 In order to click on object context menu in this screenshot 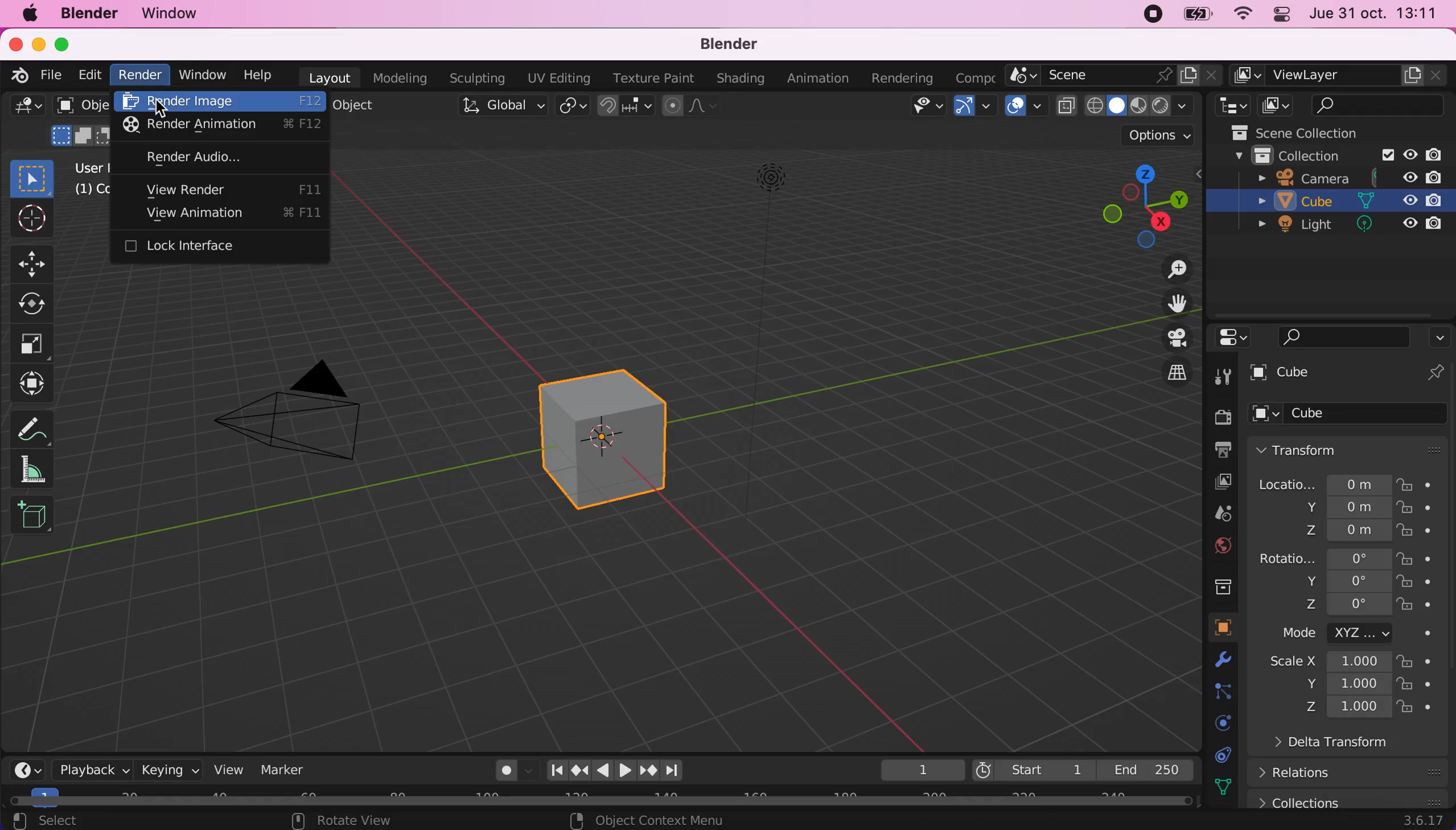, I will do `click(650, 820)`.